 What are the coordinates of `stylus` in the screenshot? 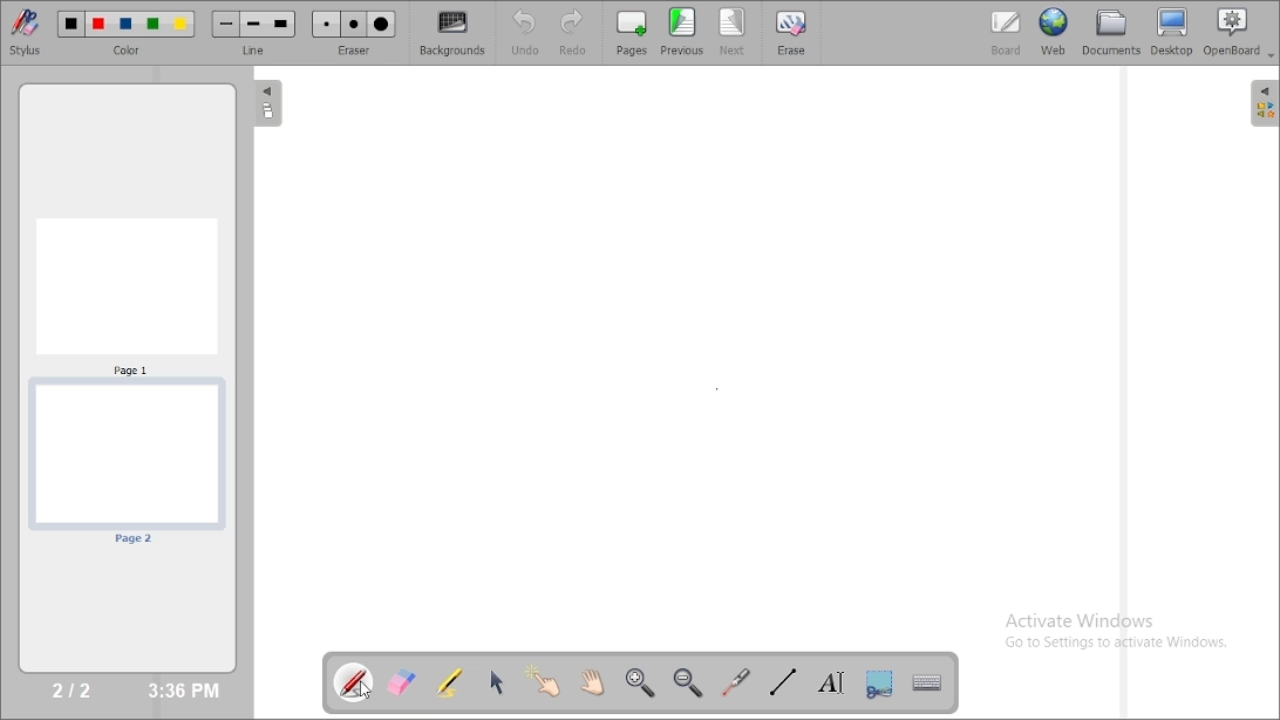 It's located at (25, 31).